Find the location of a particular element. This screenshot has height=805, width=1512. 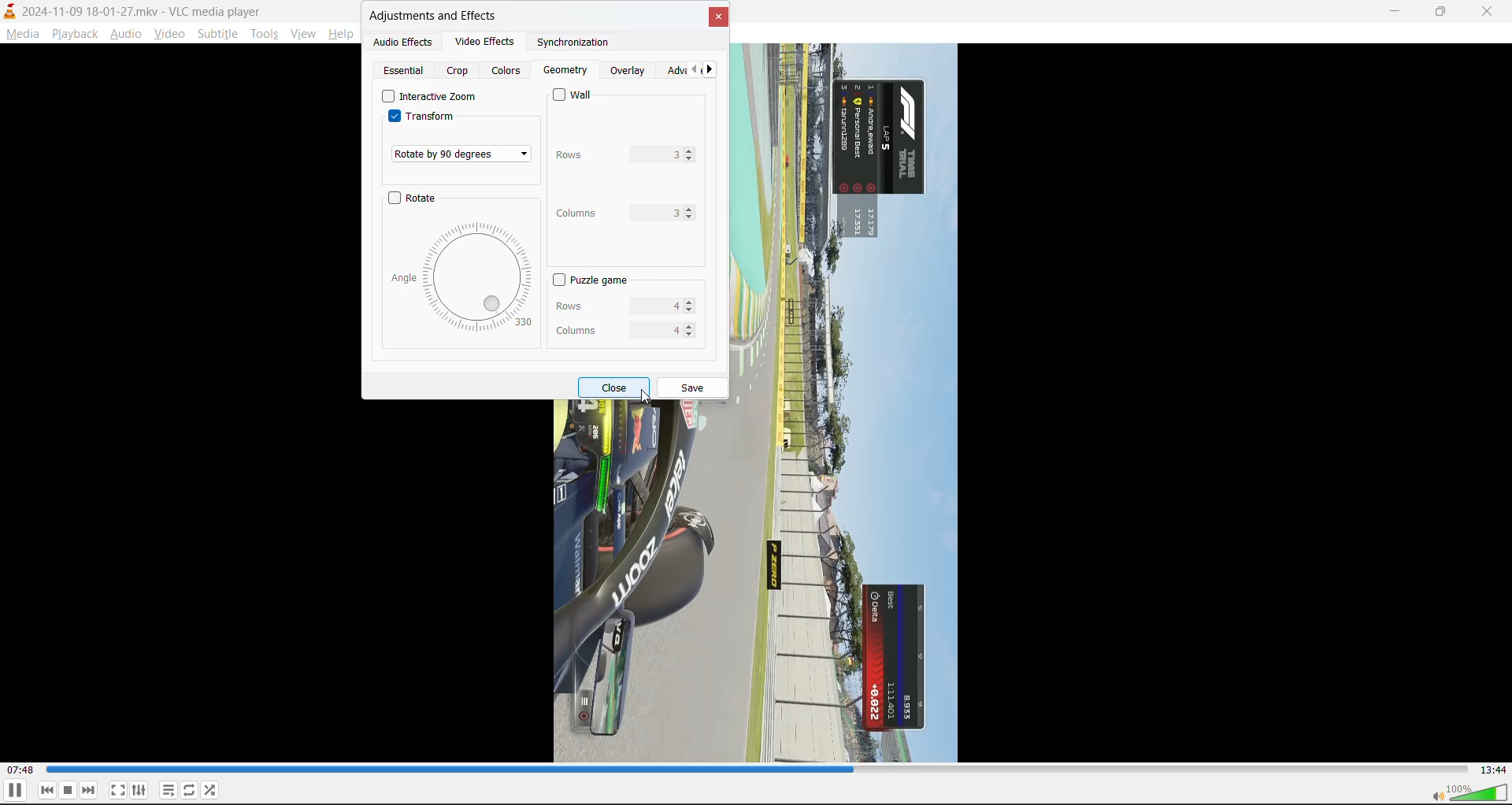

increase is located at coordinates (689, 210).